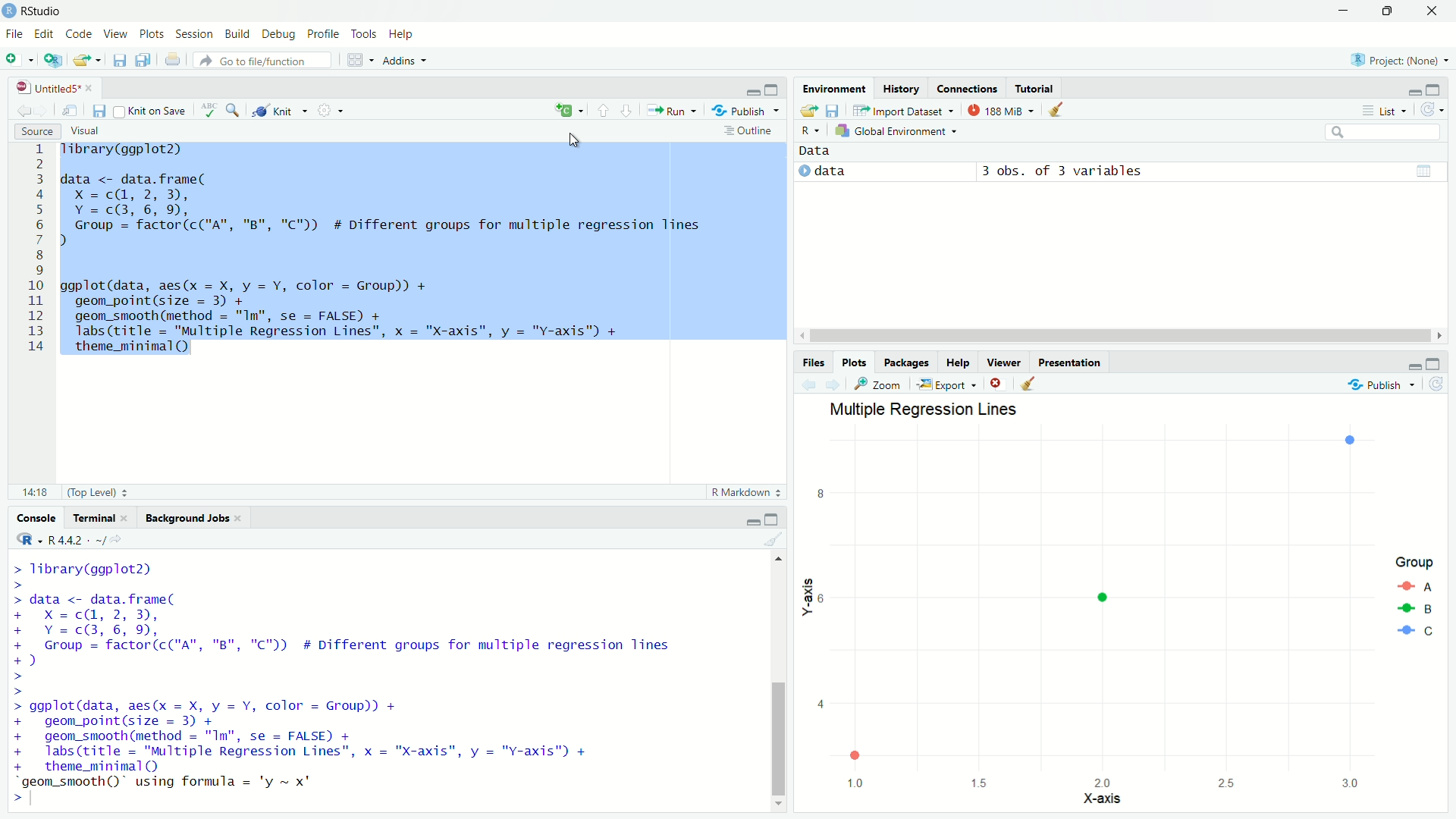 The width and height of the screenshot is (1456, 819). What do you see at coordinates (1398, 61) in the screenshot?
I see `Project: (None)` at bounding box center [1398, 61].